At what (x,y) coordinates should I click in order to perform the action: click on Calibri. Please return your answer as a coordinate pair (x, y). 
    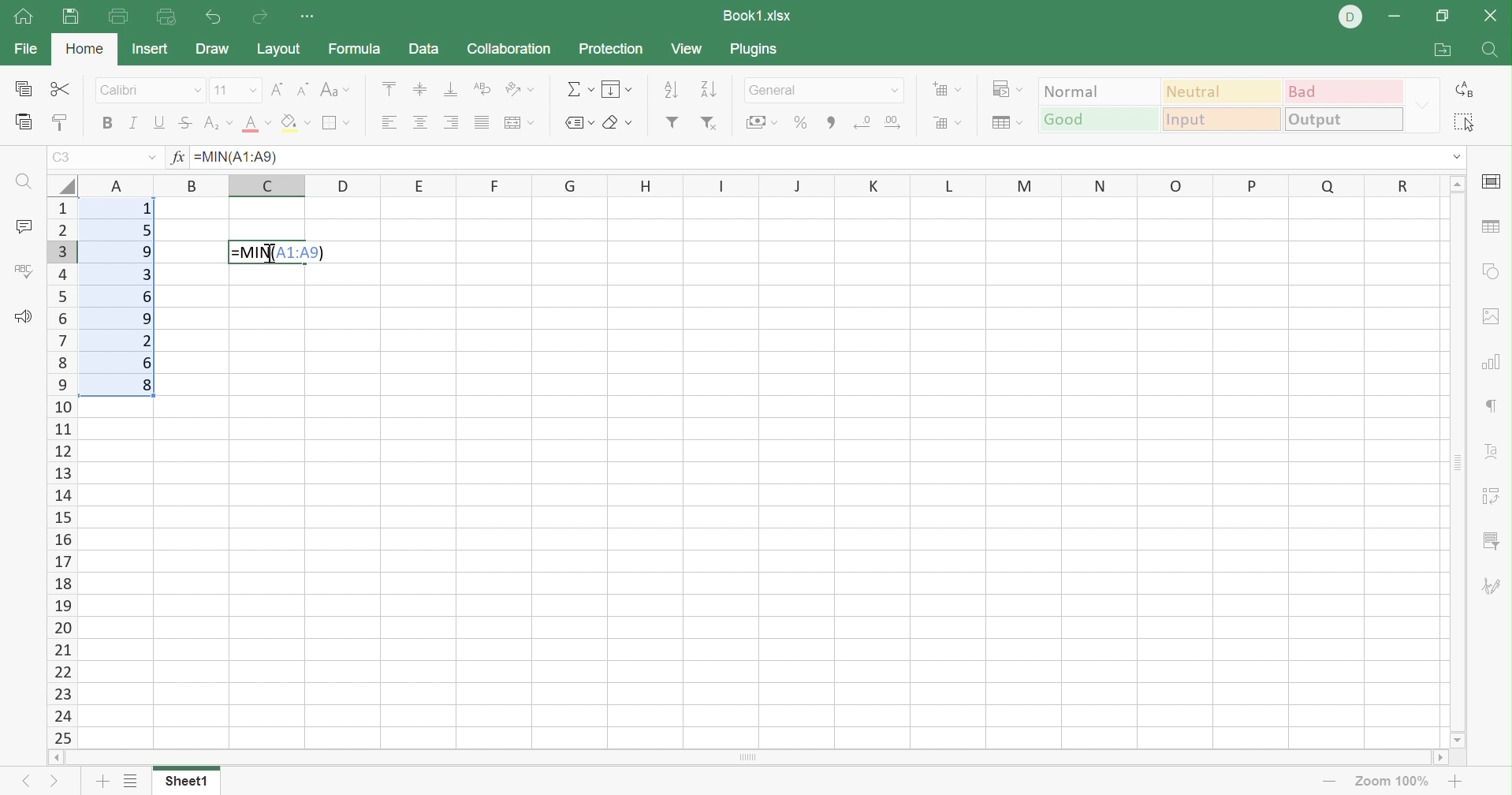
    Looking at the image, I should click on (123, 90).